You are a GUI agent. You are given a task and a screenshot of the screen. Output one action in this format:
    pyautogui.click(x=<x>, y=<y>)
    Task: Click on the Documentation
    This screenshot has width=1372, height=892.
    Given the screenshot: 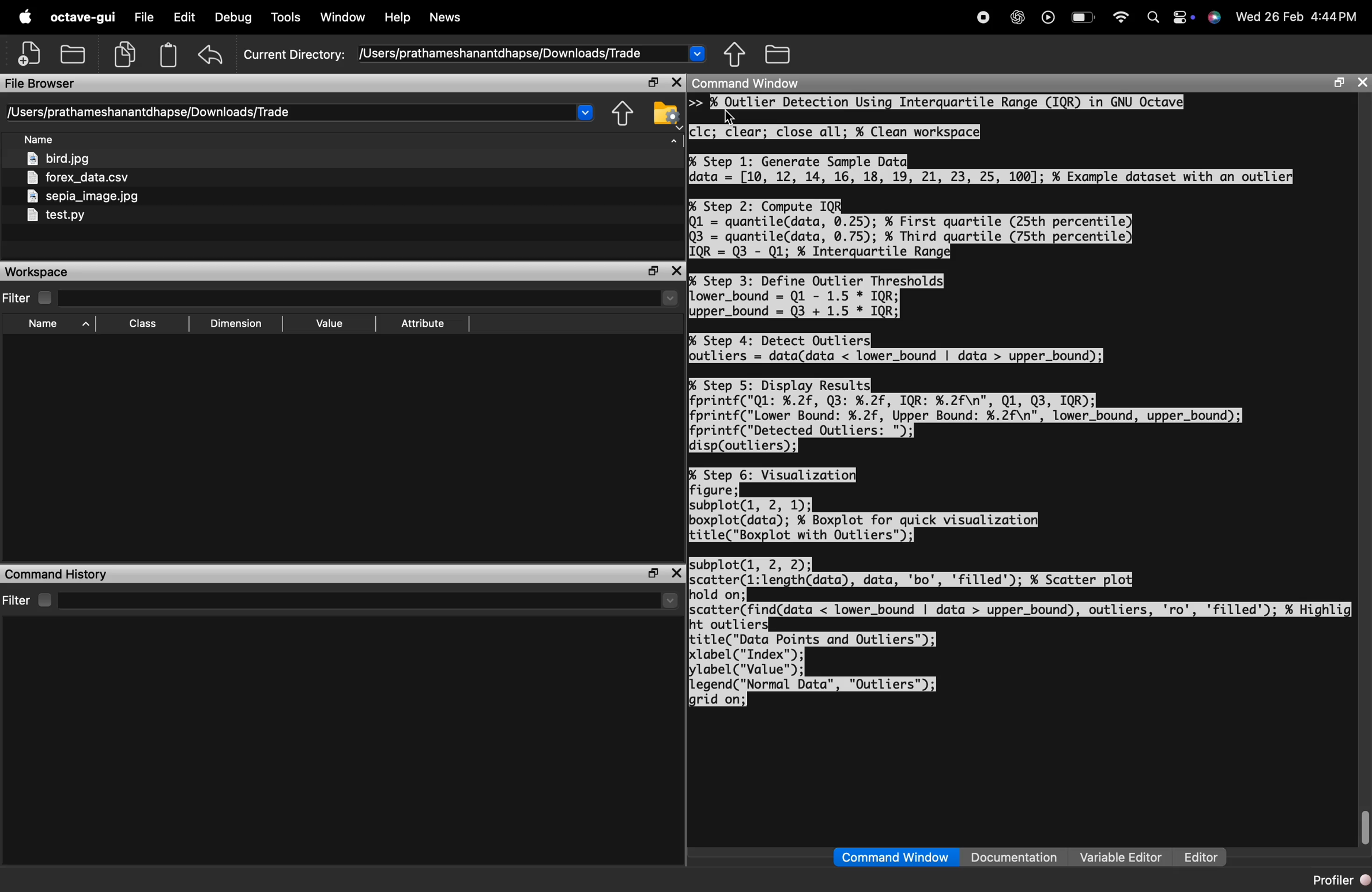 What is the action you would take?
    pyautogui.click(x=1015, y=856)
    